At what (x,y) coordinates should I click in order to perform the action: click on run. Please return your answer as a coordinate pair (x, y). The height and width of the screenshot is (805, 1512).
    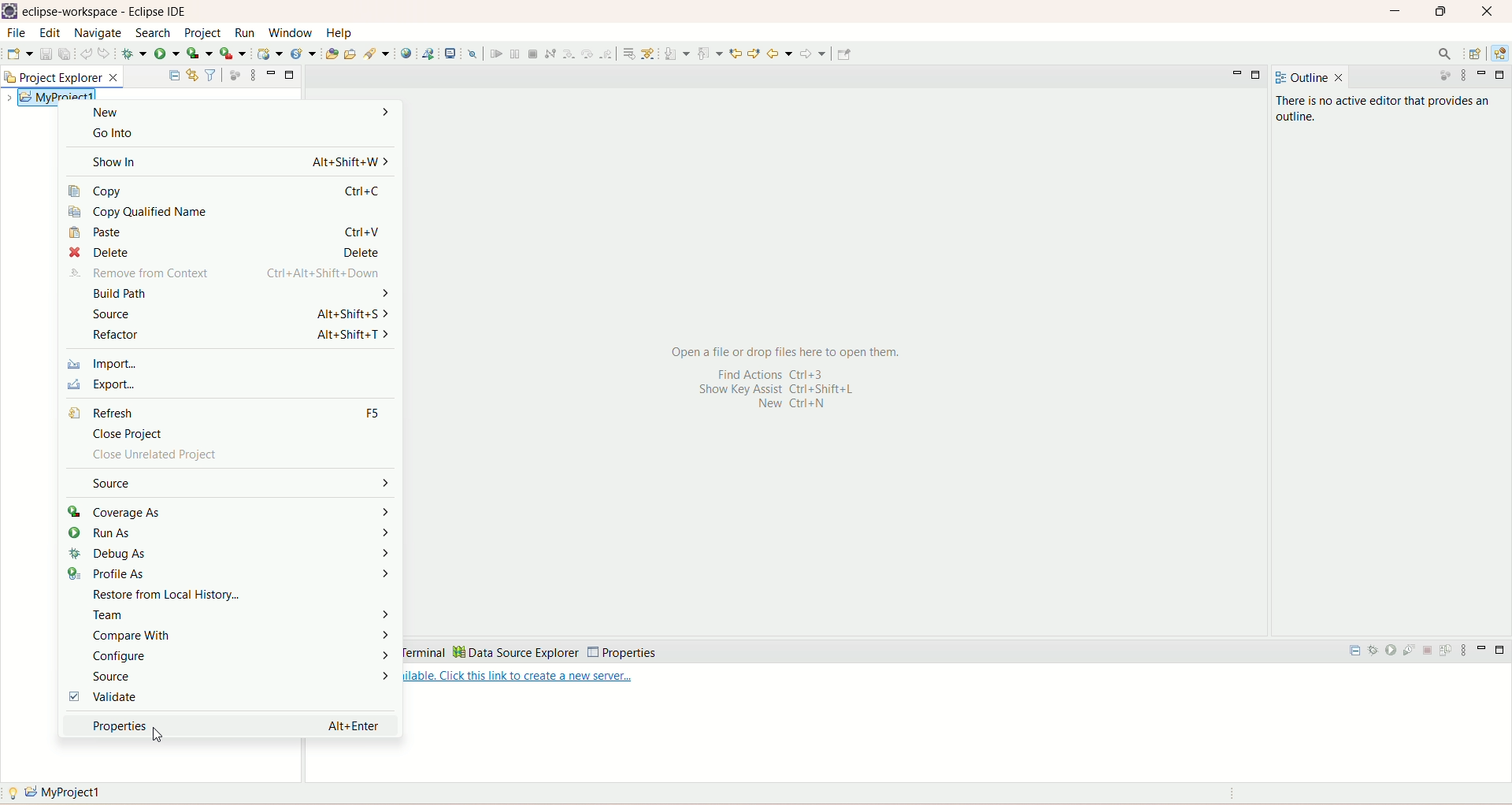
    Looking at the image, I should click on (246, 34).